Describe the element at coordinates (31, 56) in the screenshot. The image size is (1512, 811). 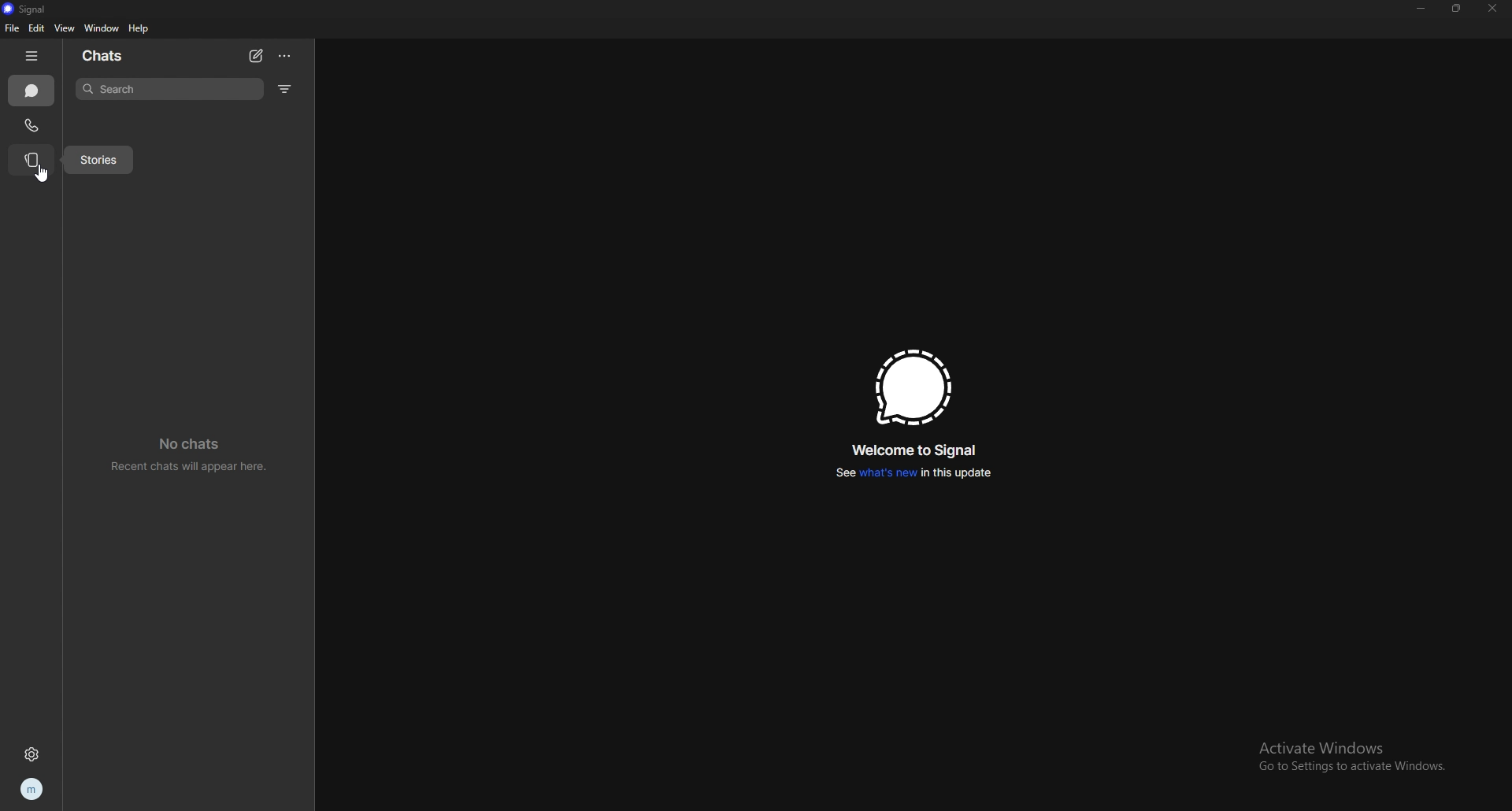
I see `hide tab` at that location.